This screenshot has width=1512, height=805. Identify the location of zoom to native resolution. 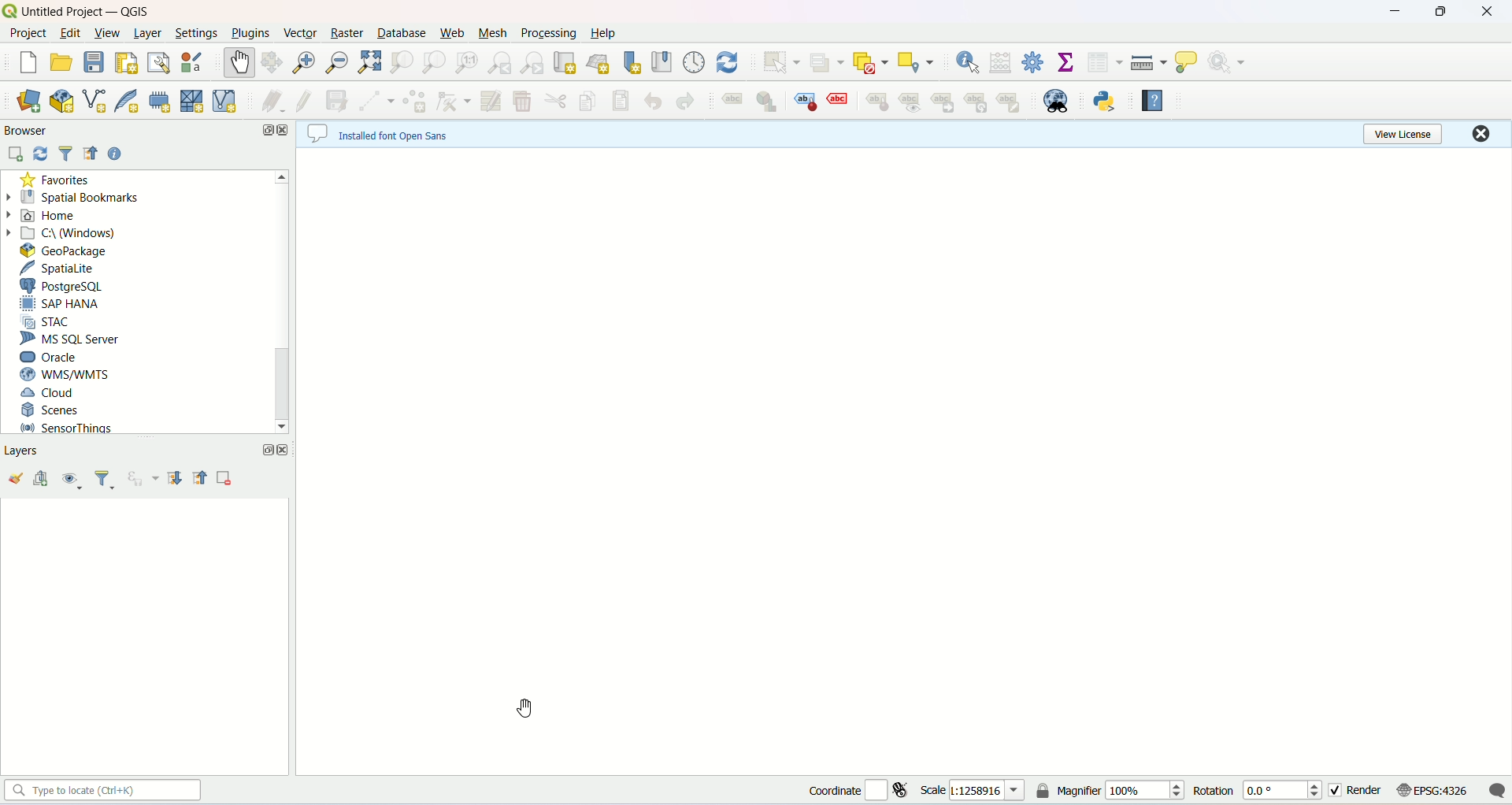
(469, 64).